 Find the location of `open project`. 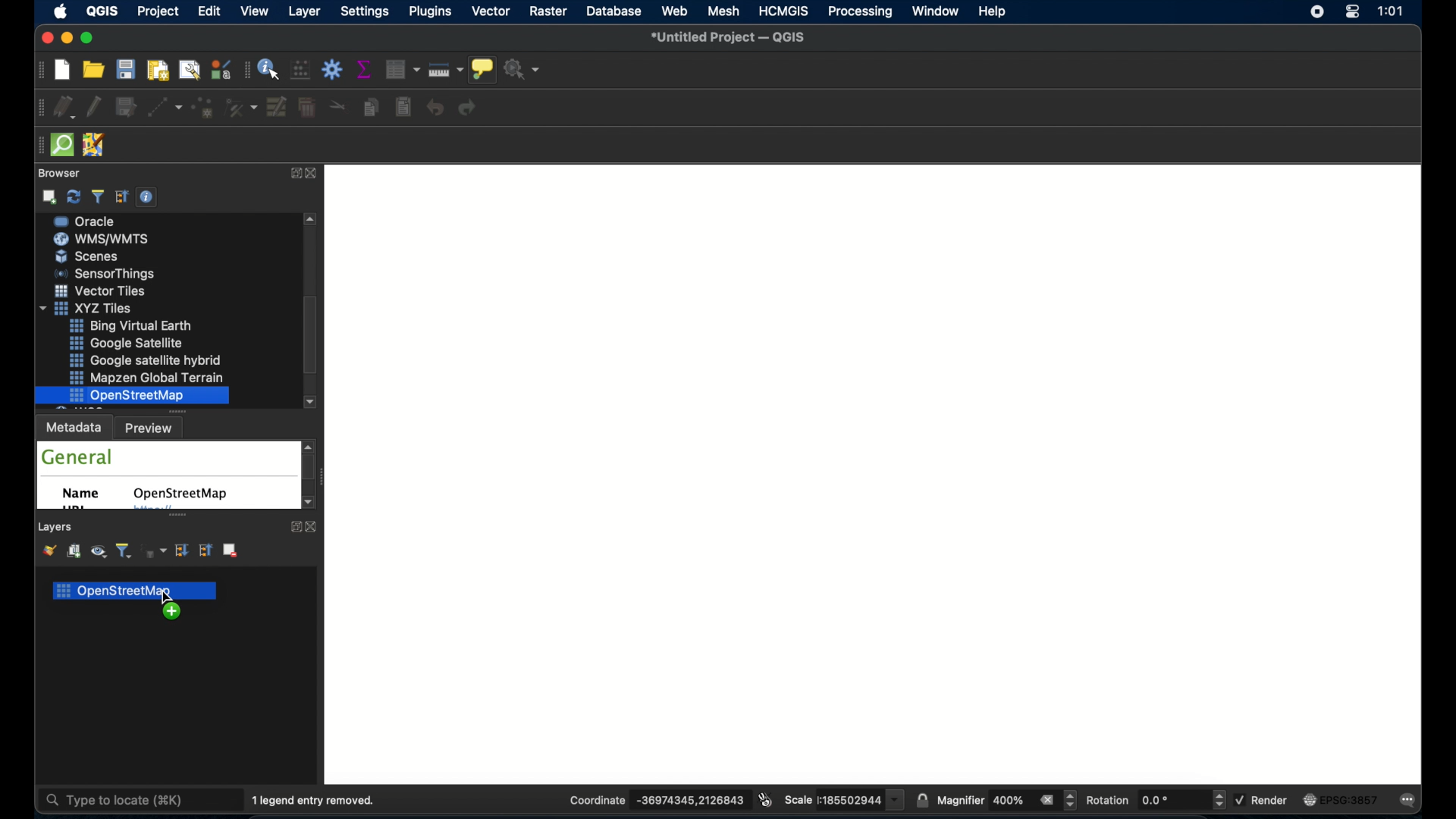

open project is located at coordinates (93, 71).